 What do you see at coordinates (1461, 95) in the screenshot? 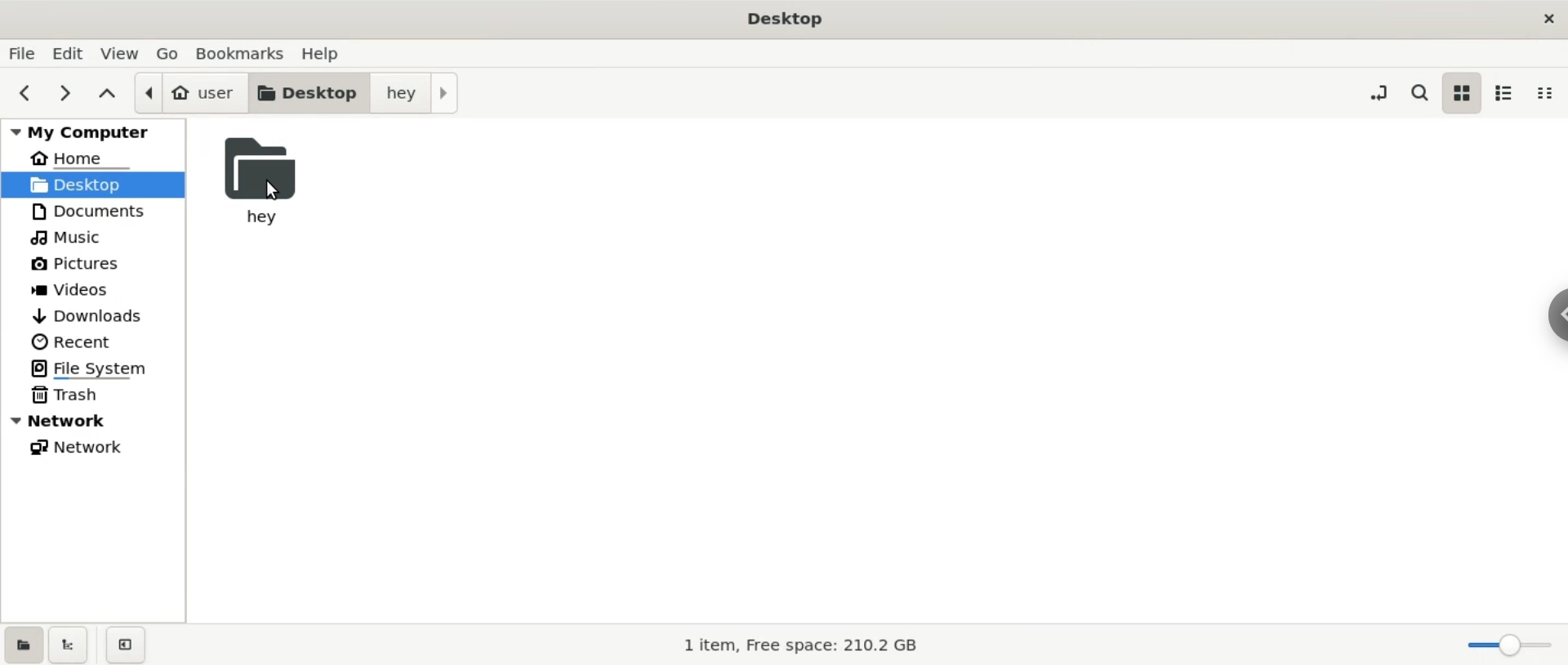
I see `icon view` at bounding box center [1461, 95].